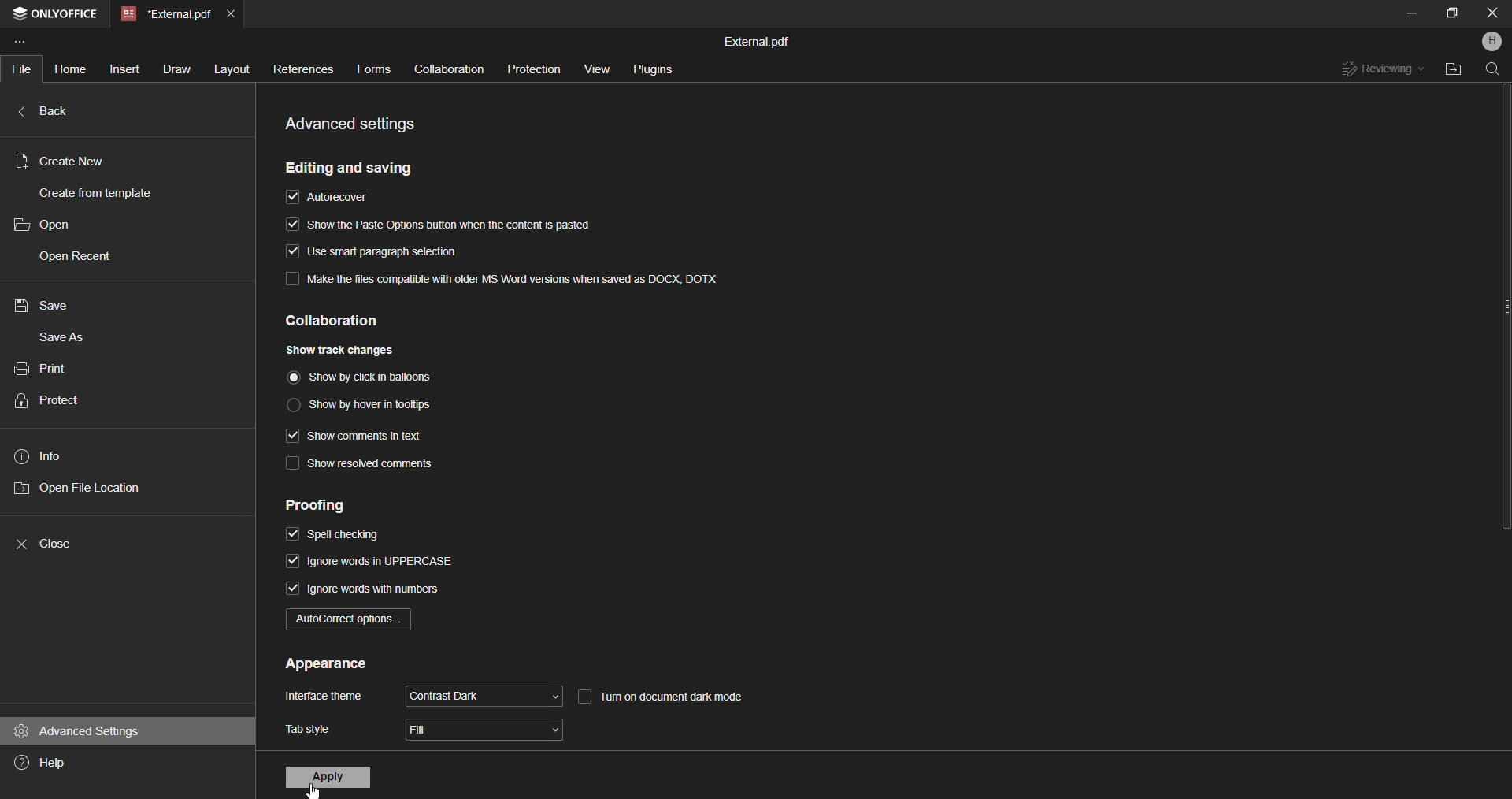 Image resolution: width=1512 pixels, height=799 pixels. I want to click on fill, so click(487, 731).